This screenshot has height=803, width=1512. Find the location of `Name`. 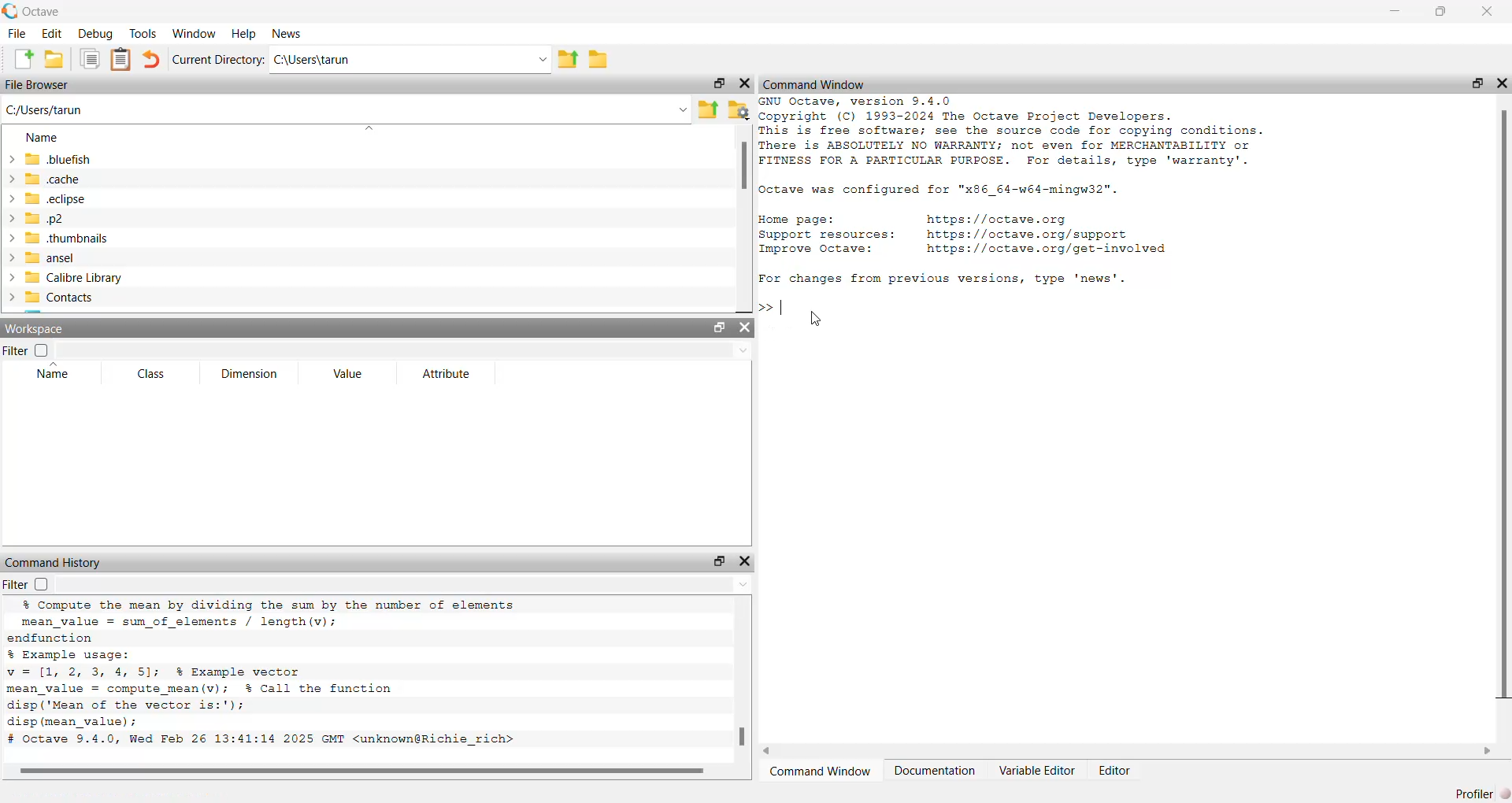

Name is located at coordinates (55, 372).